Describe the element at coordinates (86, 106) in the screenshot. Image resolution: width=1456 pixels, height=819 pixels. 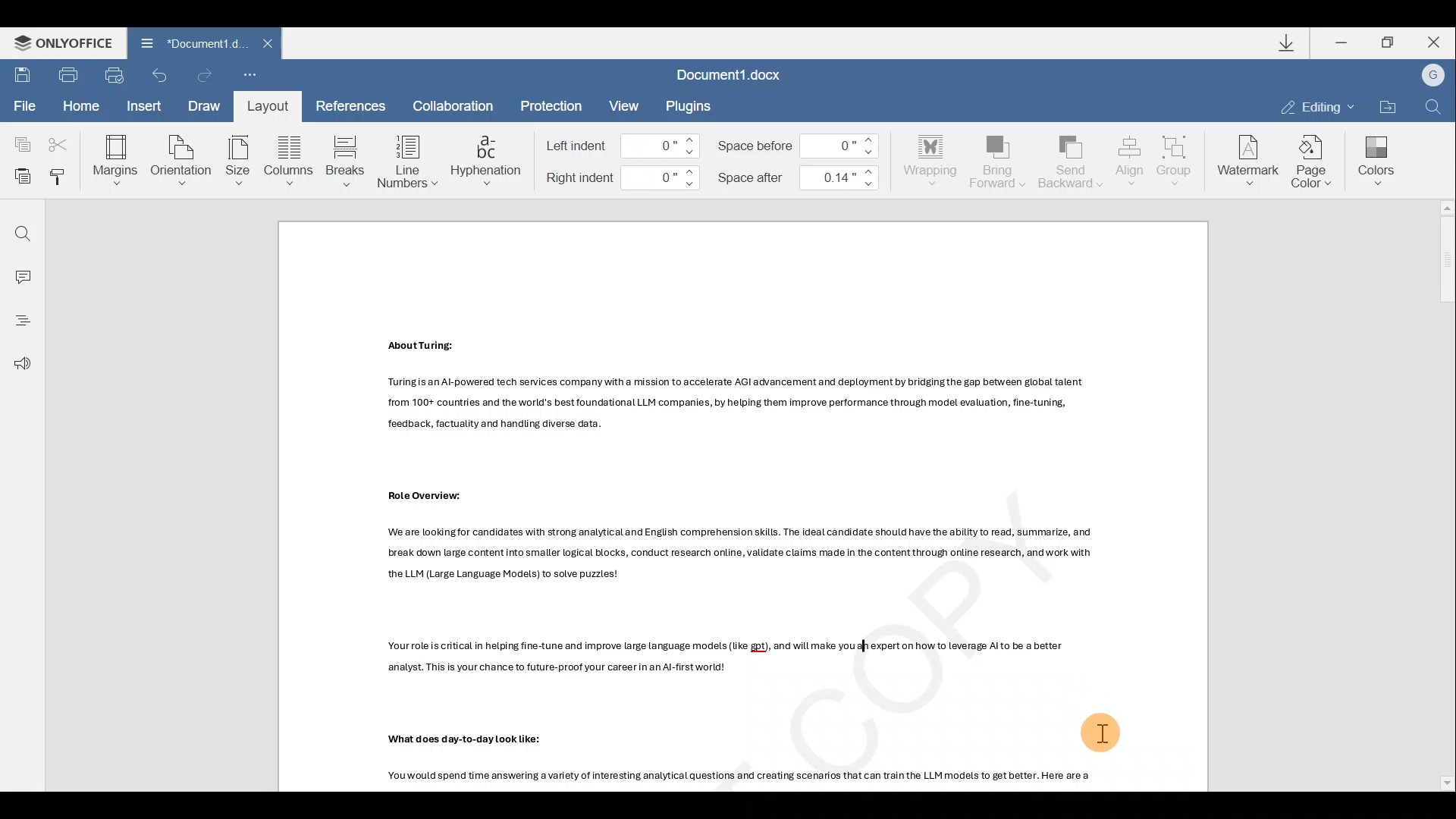
I see `Home` at that location.